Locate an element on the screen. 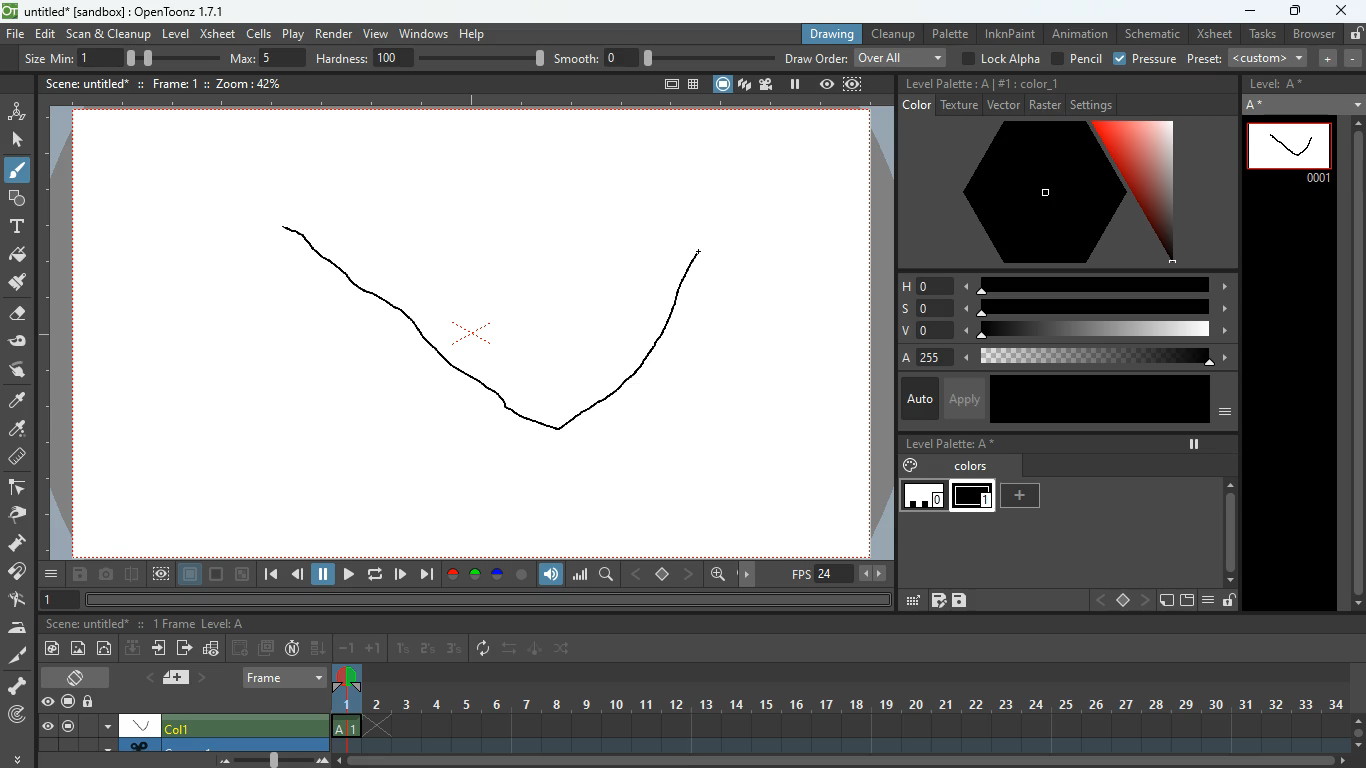 Image resolution: width=1366 pixels, height=768 pixels. edit is located at coordinates (910, 601).